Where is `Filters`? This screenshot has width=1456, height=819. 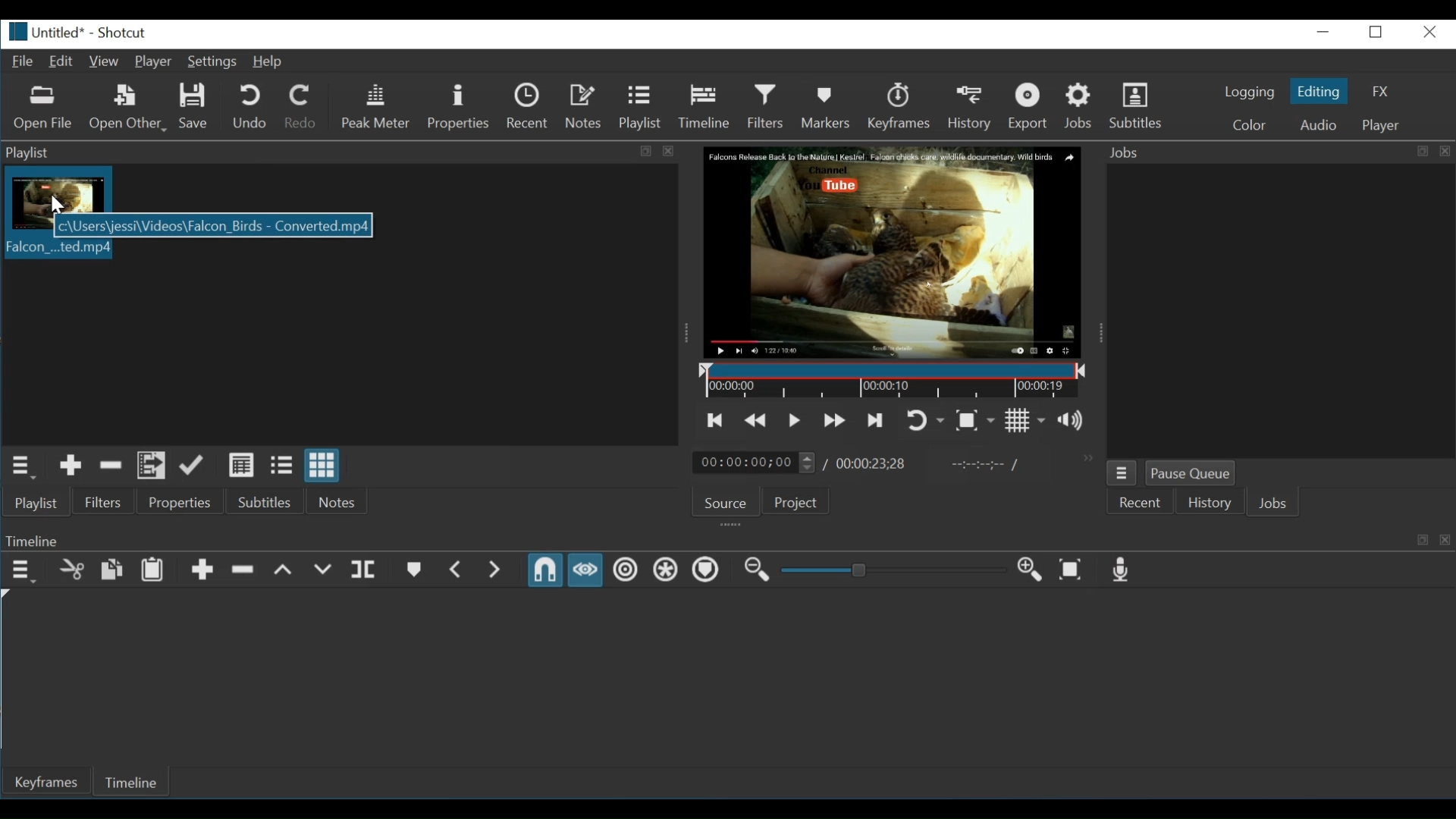 Filters is located at coordinates (766, 106).